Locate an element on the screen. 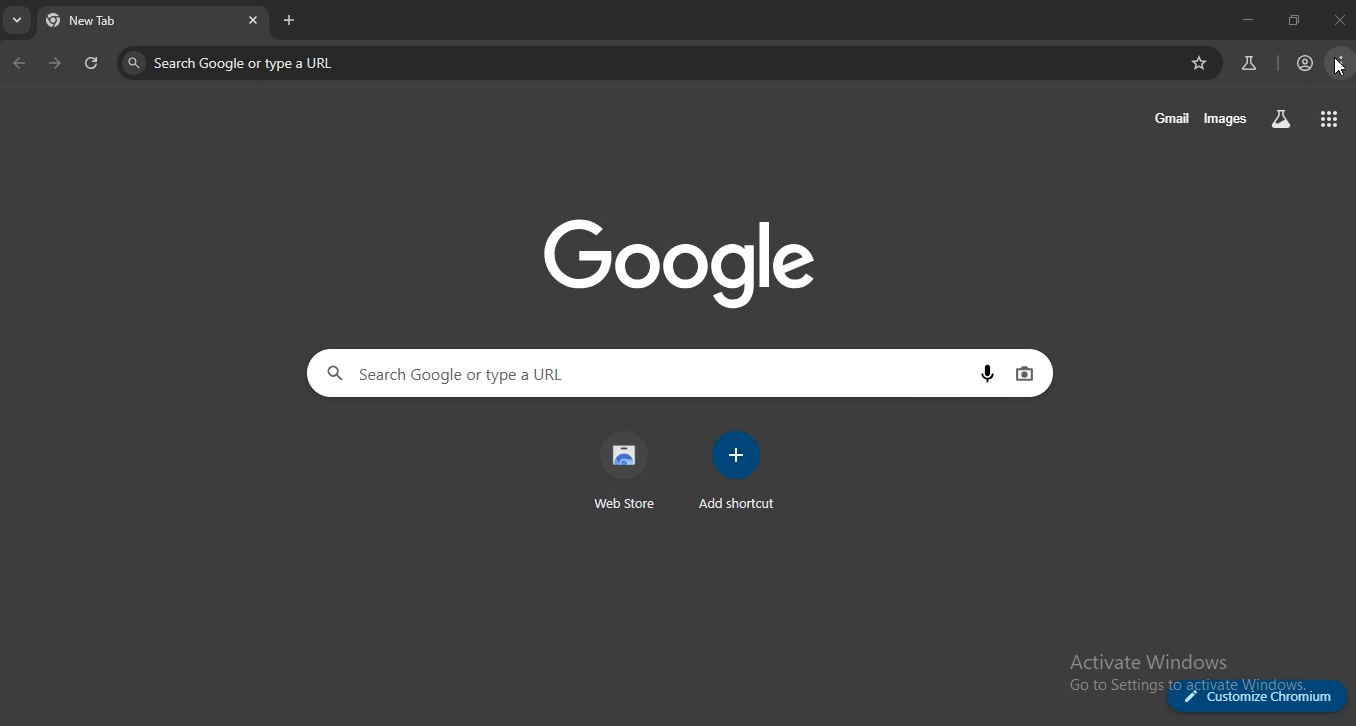 The height and width of the screenshot is (726, 1356). close is located at coordinates (253, 19).